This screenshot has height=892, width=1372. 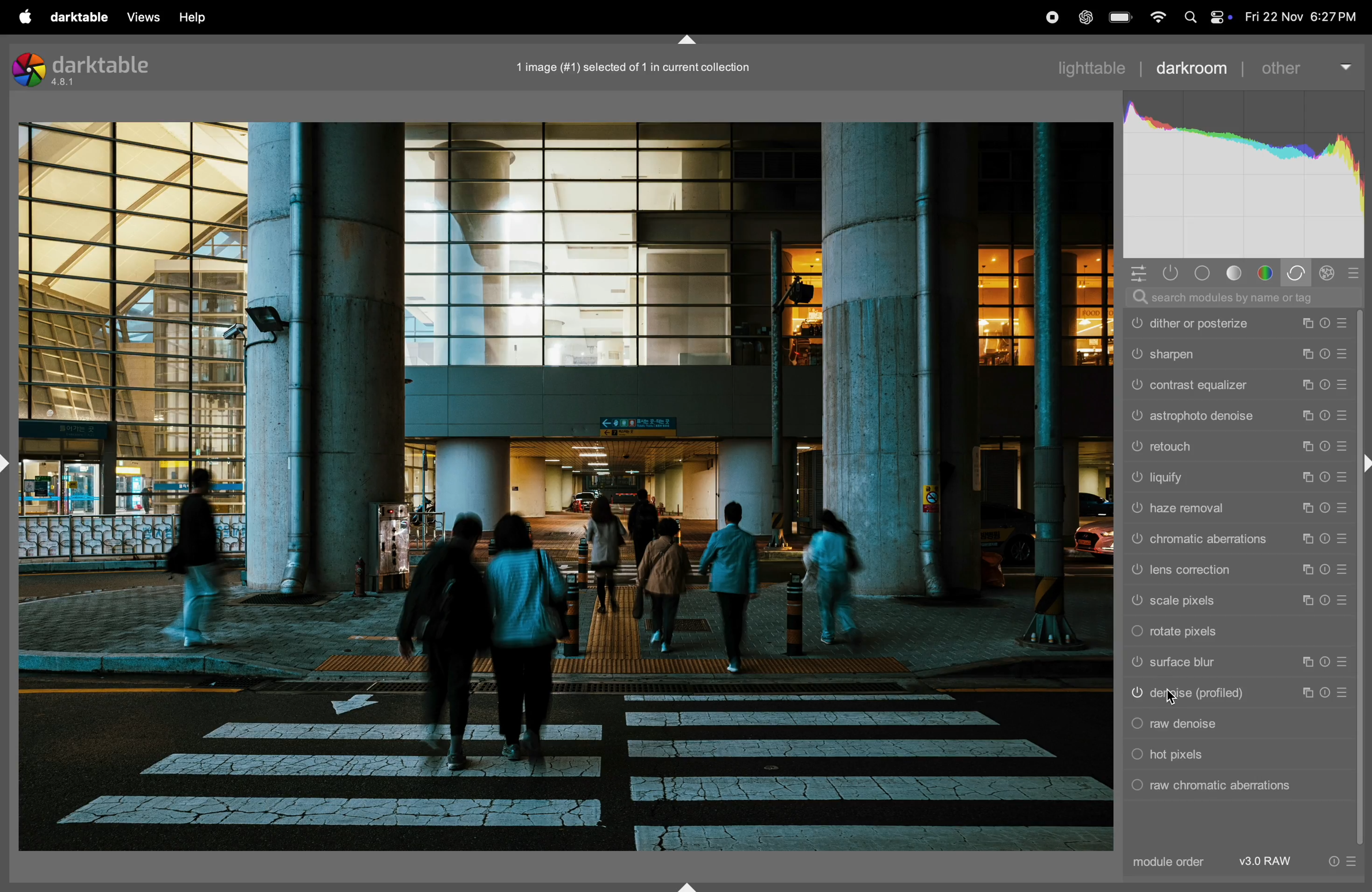 I want to click on searchbar, so click(x=1243, y=299).